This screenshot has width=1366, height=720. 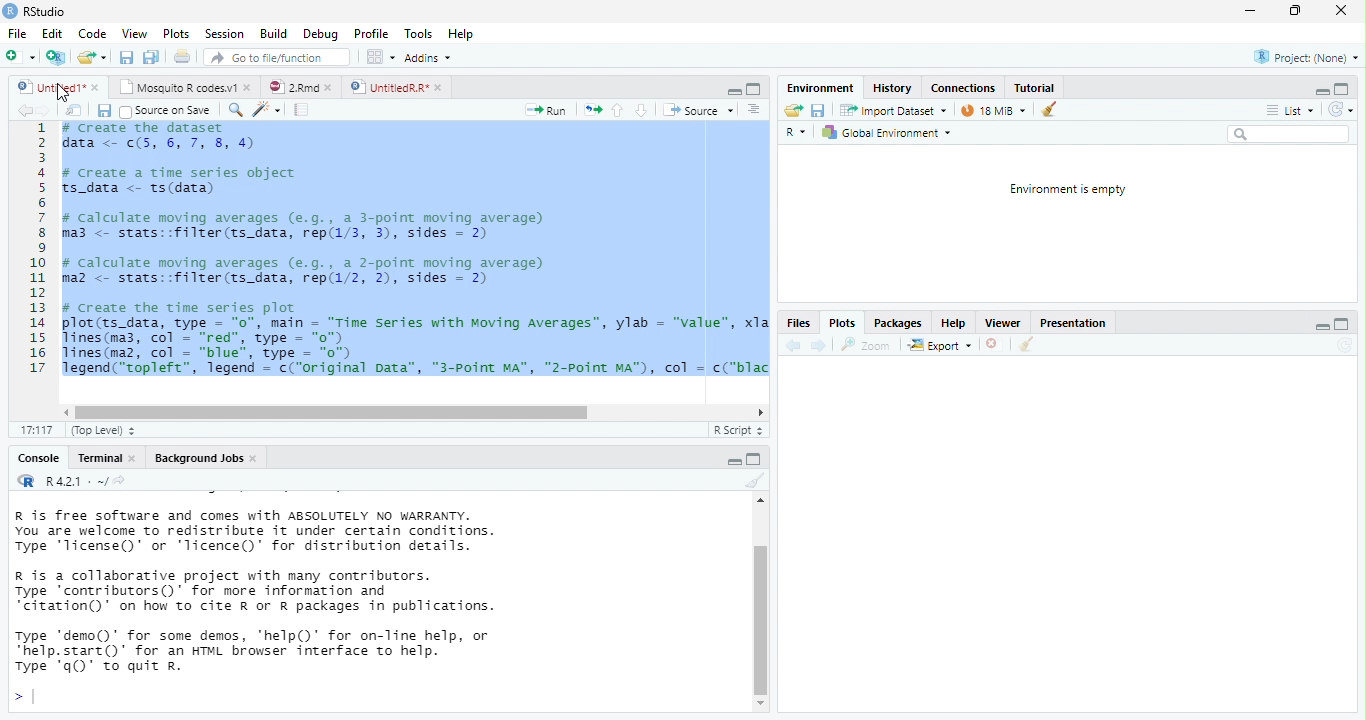 I want to click on RStudio, so click(x=36, y=10).